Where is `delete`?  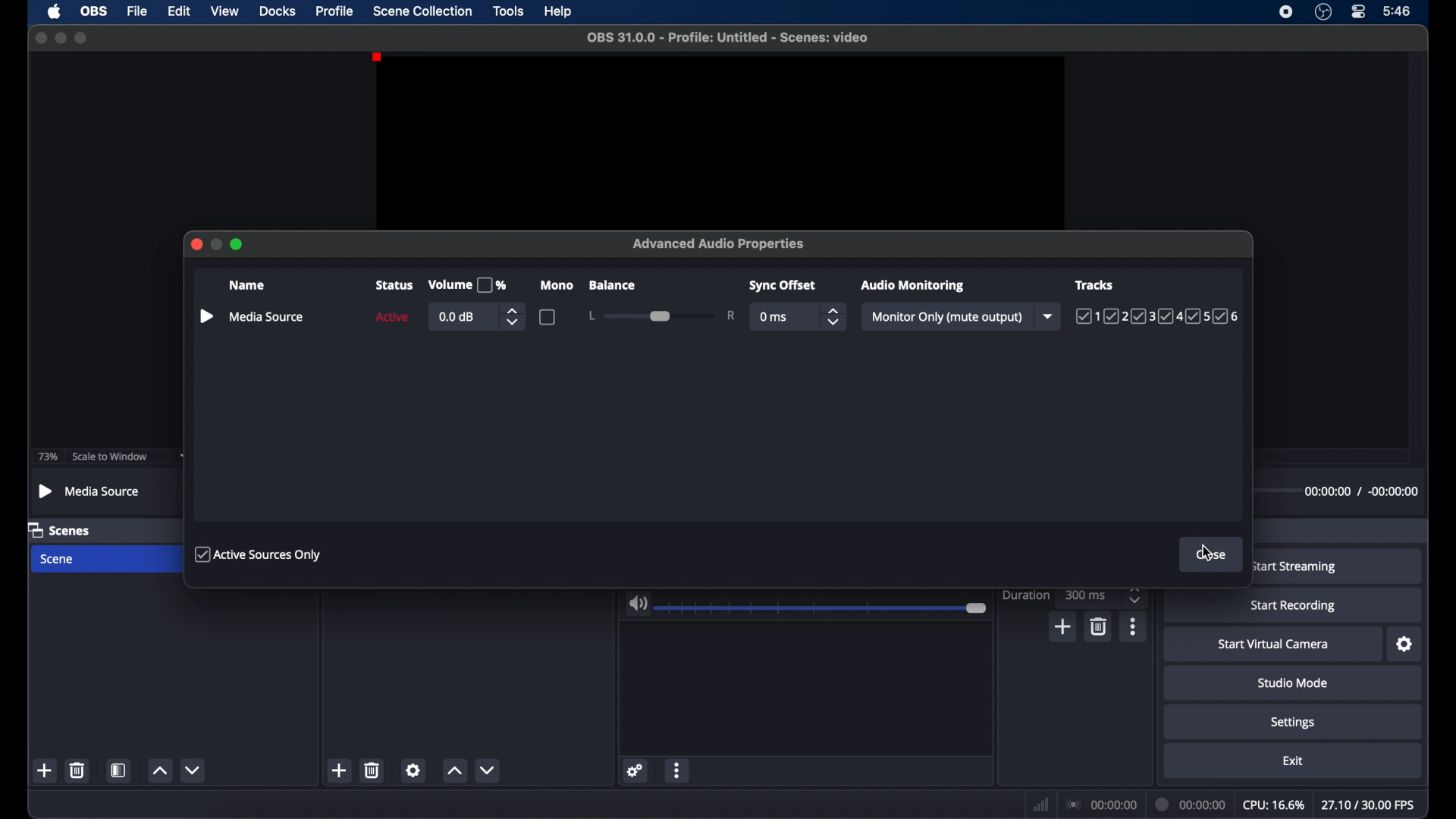
delete is located at coordinates (1097, 626).